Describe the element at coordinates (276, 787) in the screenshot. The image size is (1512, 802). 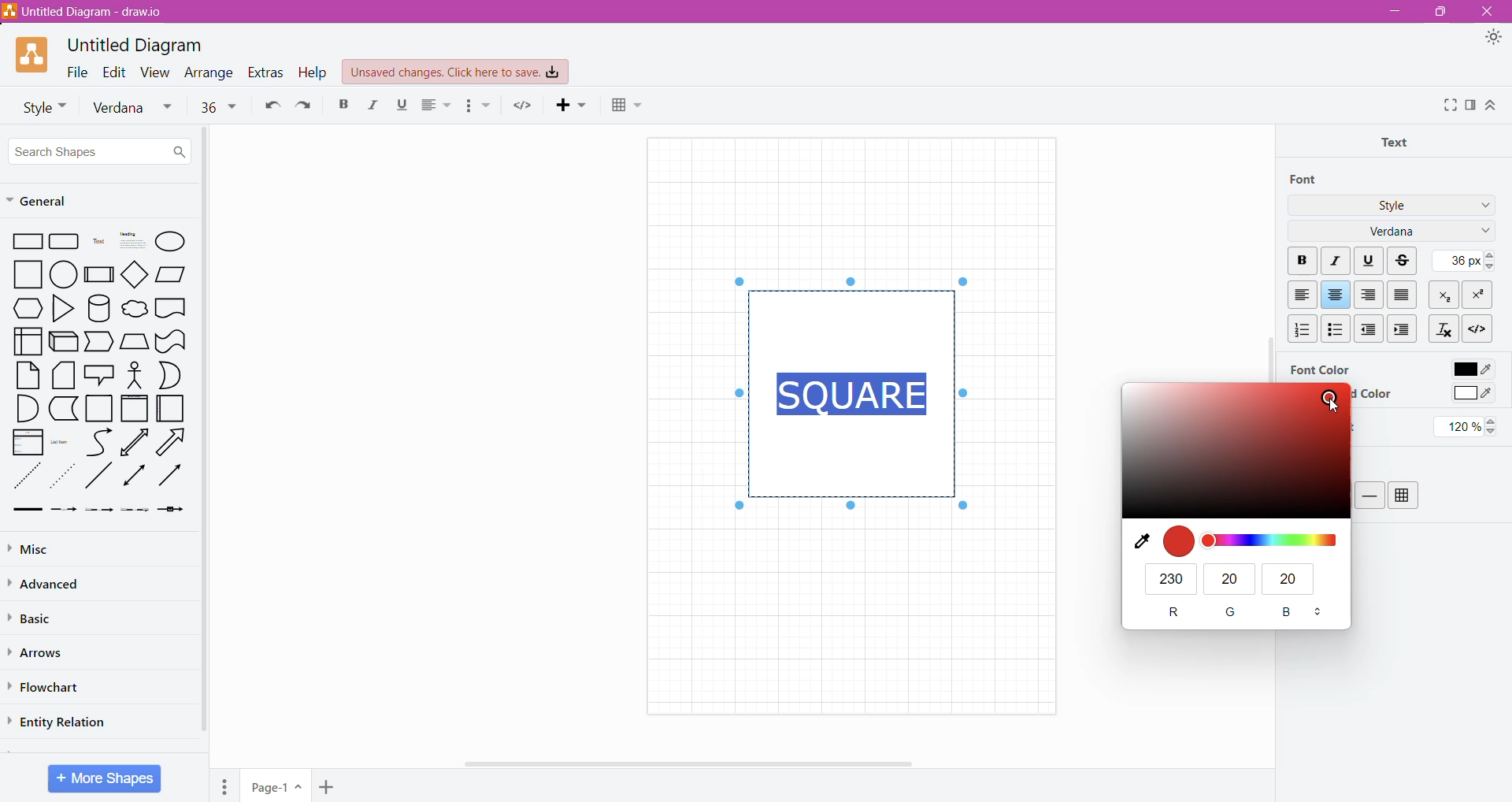
I see `Page Name` at that location.